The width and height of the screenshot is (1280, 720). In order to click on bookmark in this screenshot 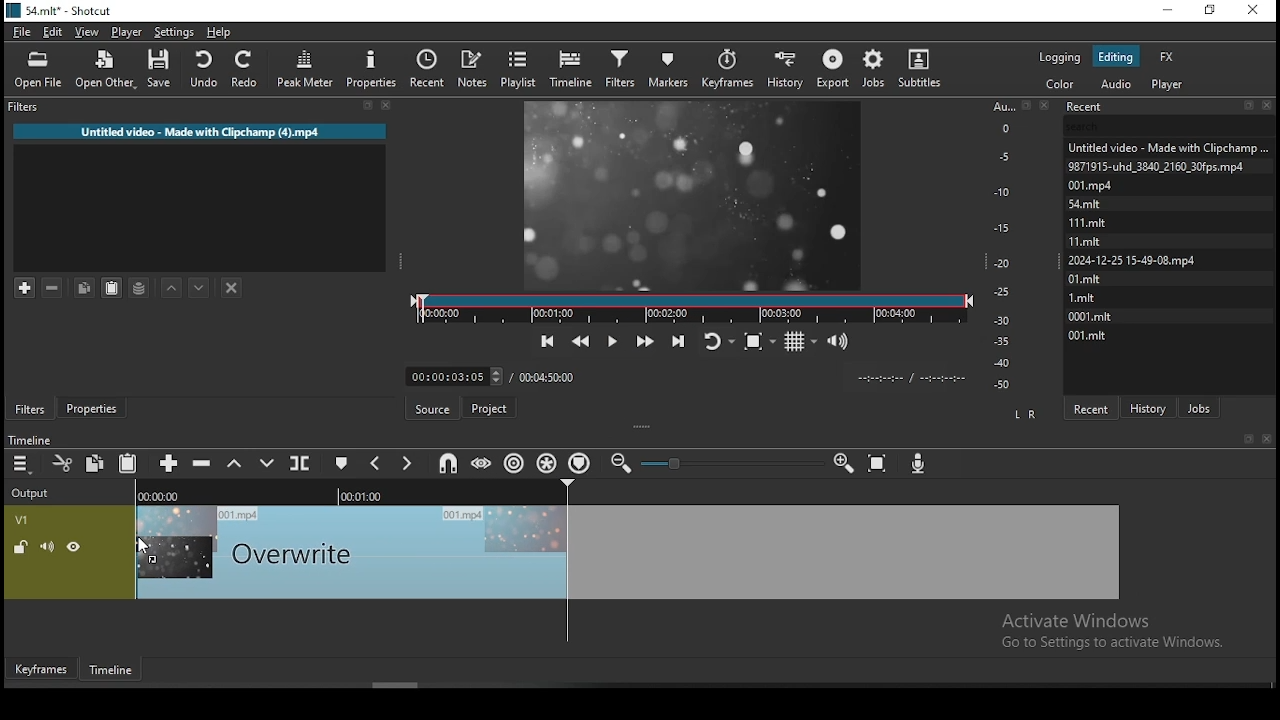, I will do `click(1246, 438)`.